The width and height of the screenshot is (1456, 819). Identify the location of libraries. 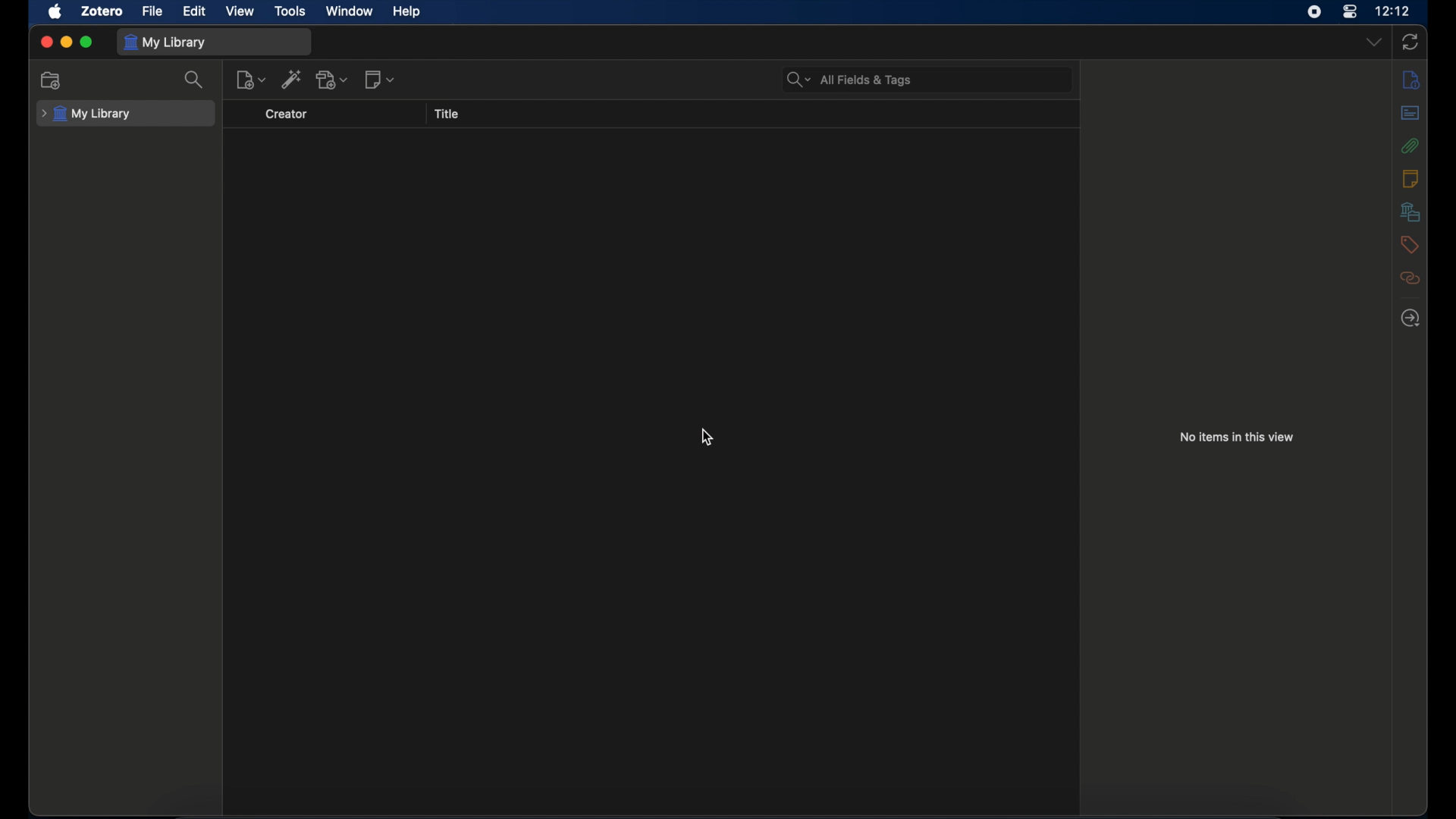
(1411, 212).